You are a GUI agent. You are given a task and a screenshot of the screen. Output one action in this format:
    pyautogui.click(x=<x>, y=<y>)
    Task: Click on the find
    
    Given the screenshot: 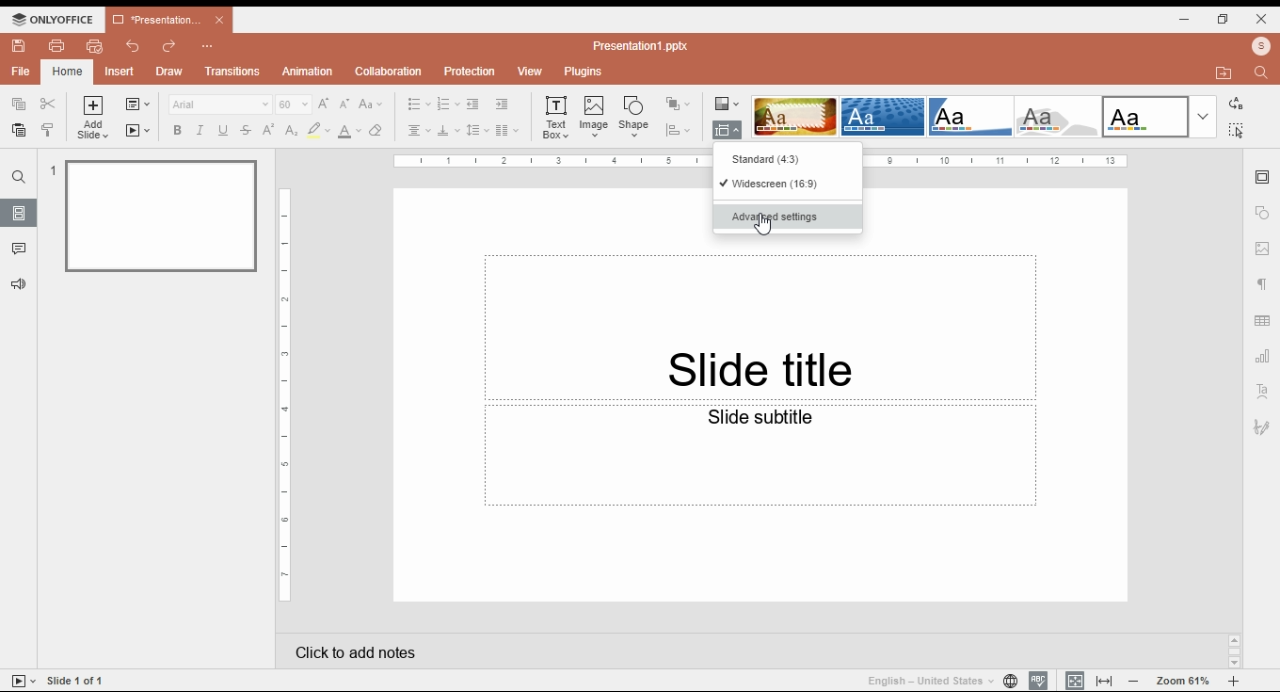 What is the action you would take?
    pyautogui.click(x=19, y=177)
    